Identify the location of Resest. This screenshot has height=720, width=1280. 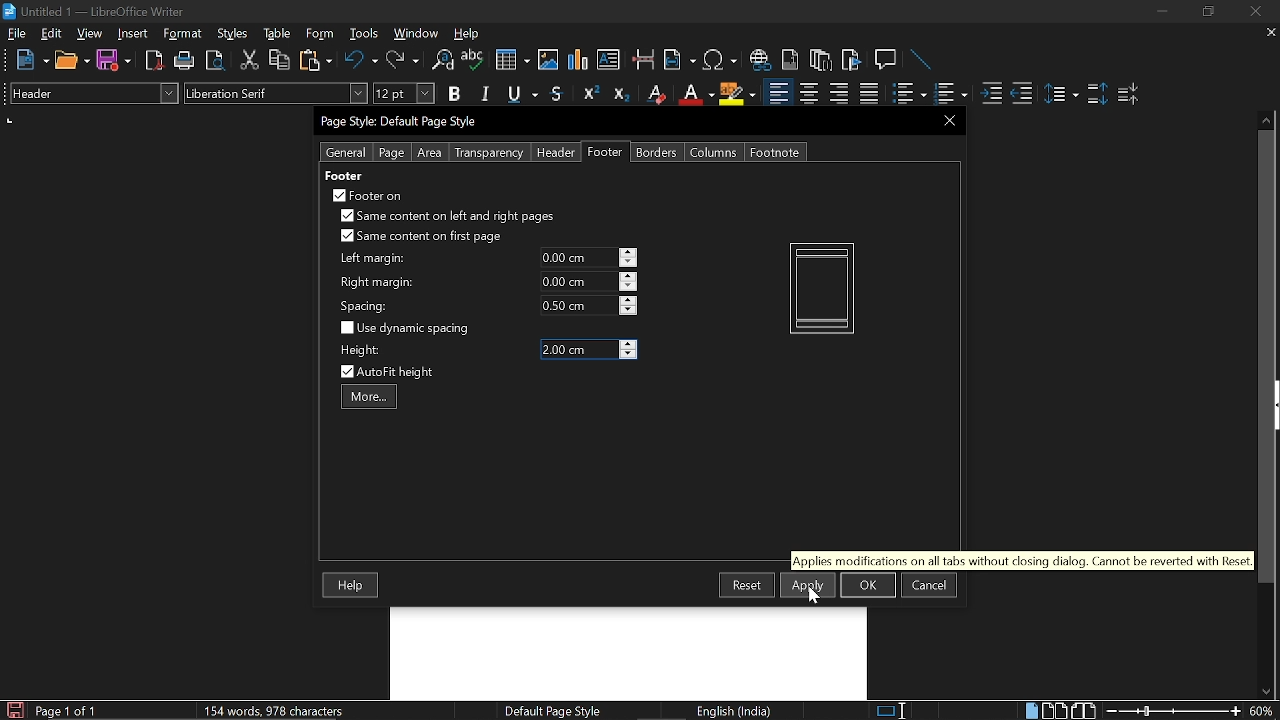
(747, 584).